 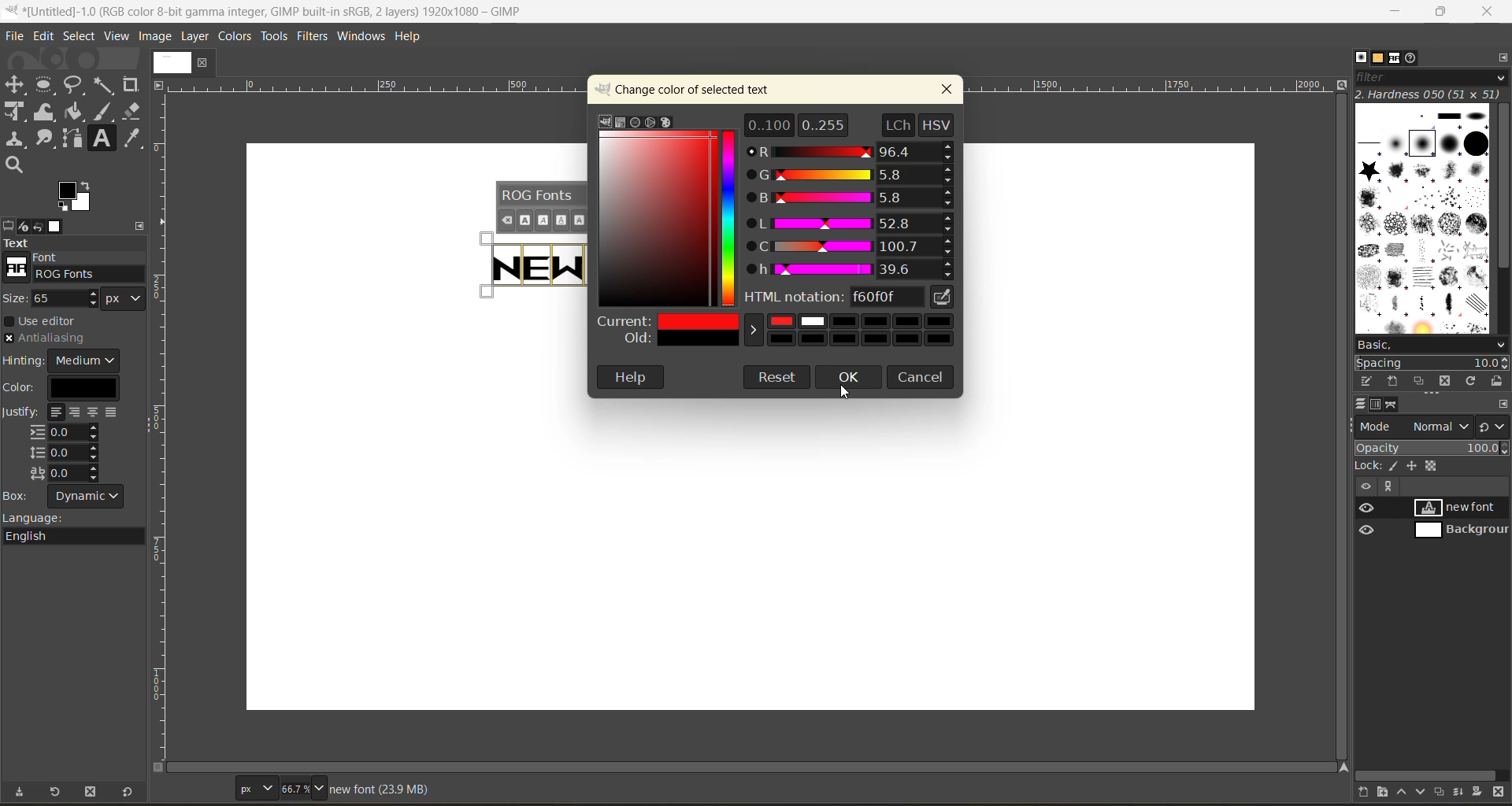 What do you see at coordinates (541, 207) in the screenshot?
I see `font settings` at bounding box center [541, 207].